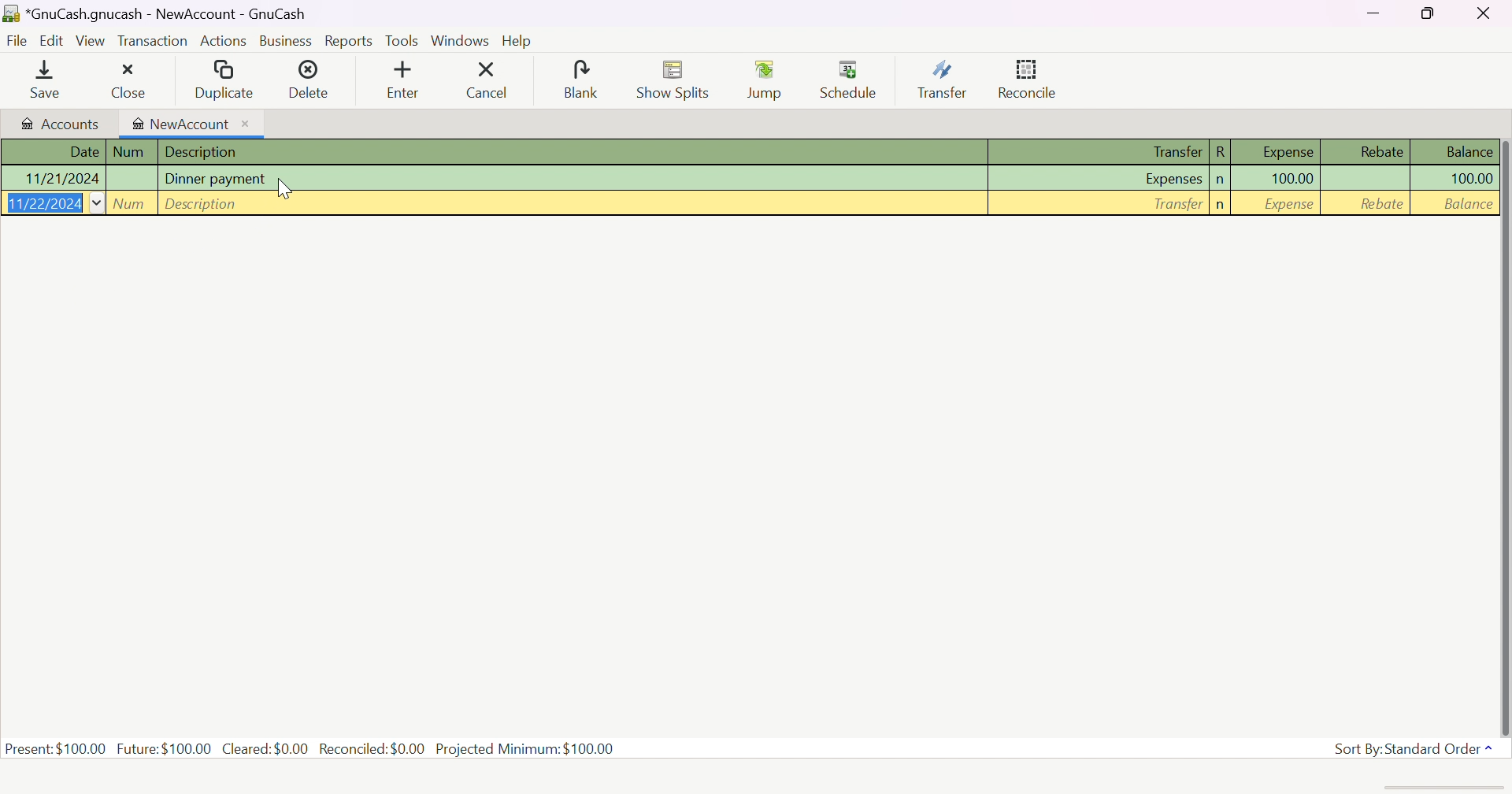 This screenshot has height=794, width=1512. I want to click on Restore Down, so click(1430, 13).